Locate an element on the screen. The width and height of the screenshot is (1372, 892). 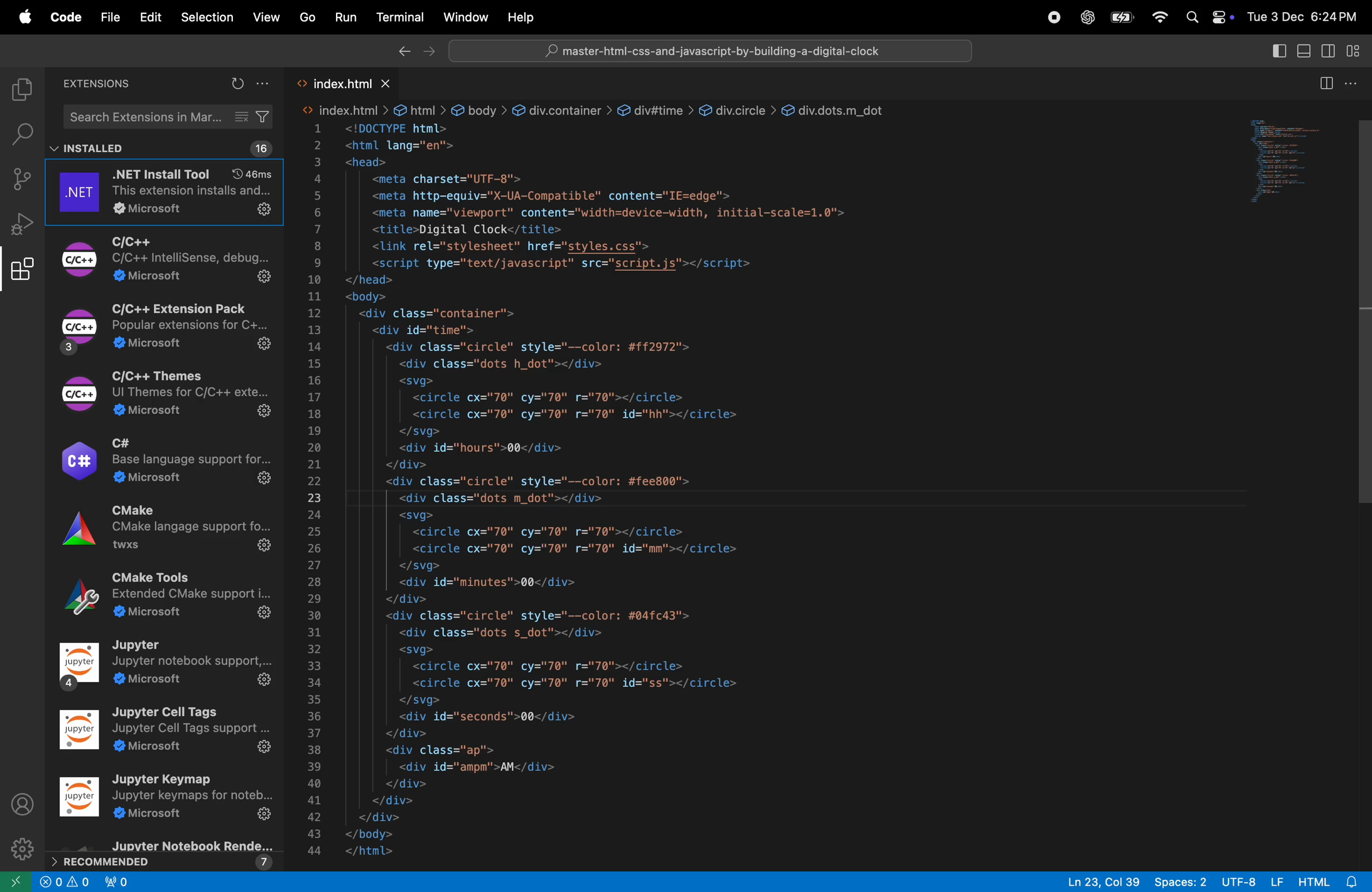
preview window is located at coordinates (1277, 162).